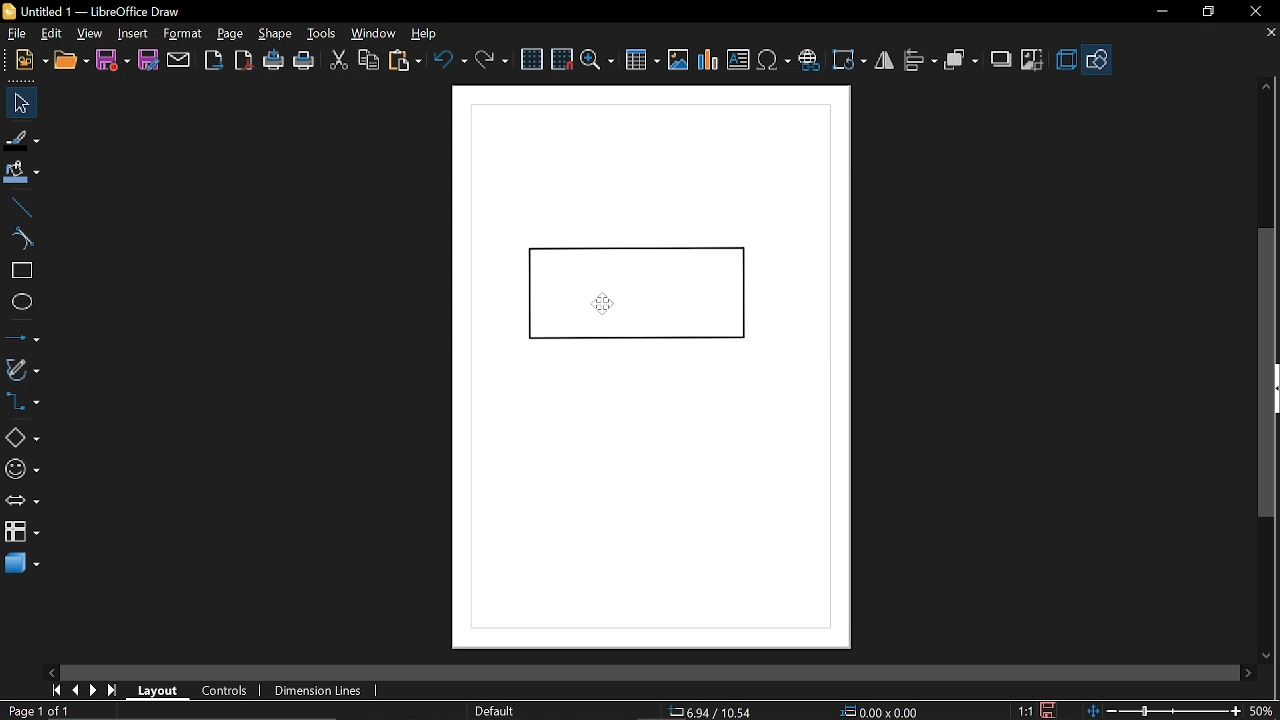 This screenshot has height=720, width=1280. I want to click on open, so click(72, 58).